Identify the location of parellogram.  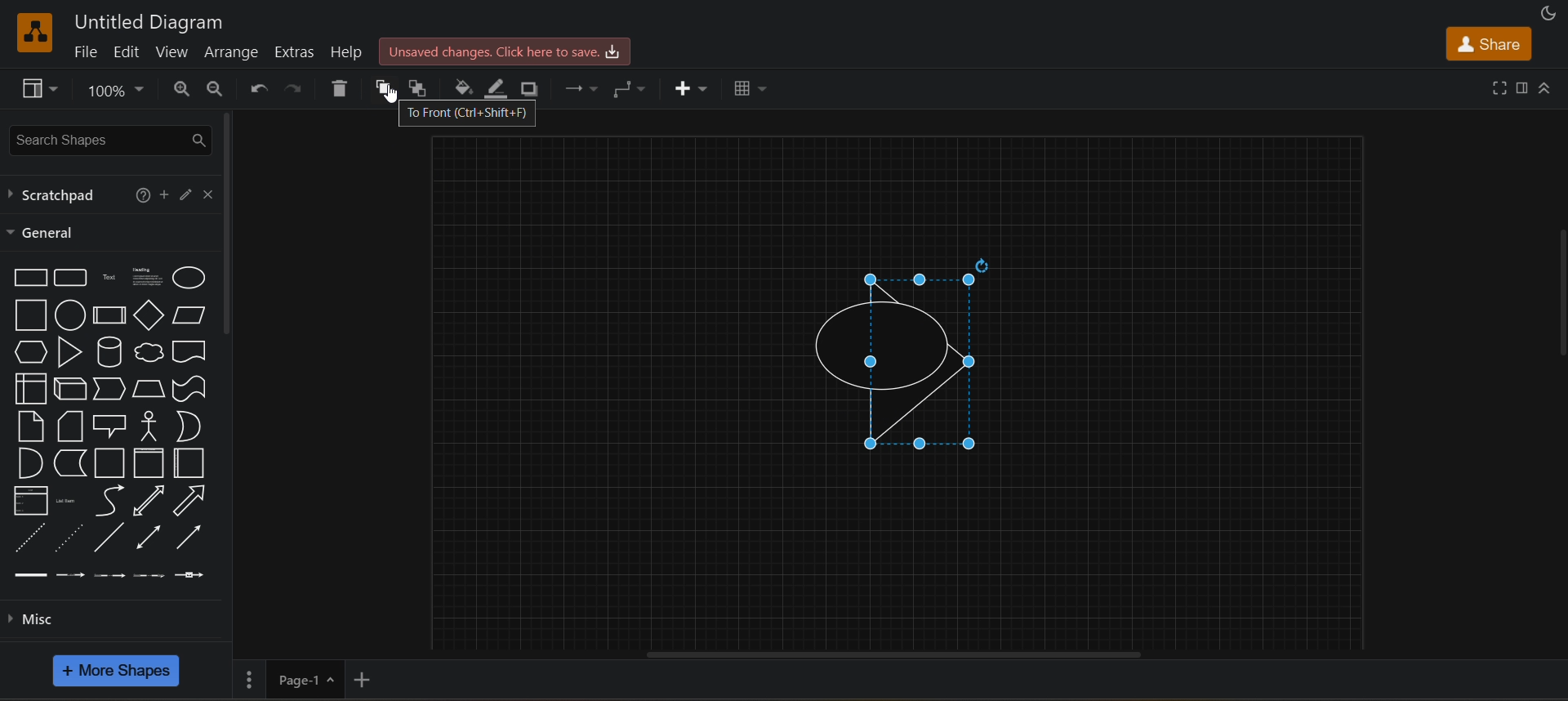
(188, 315).